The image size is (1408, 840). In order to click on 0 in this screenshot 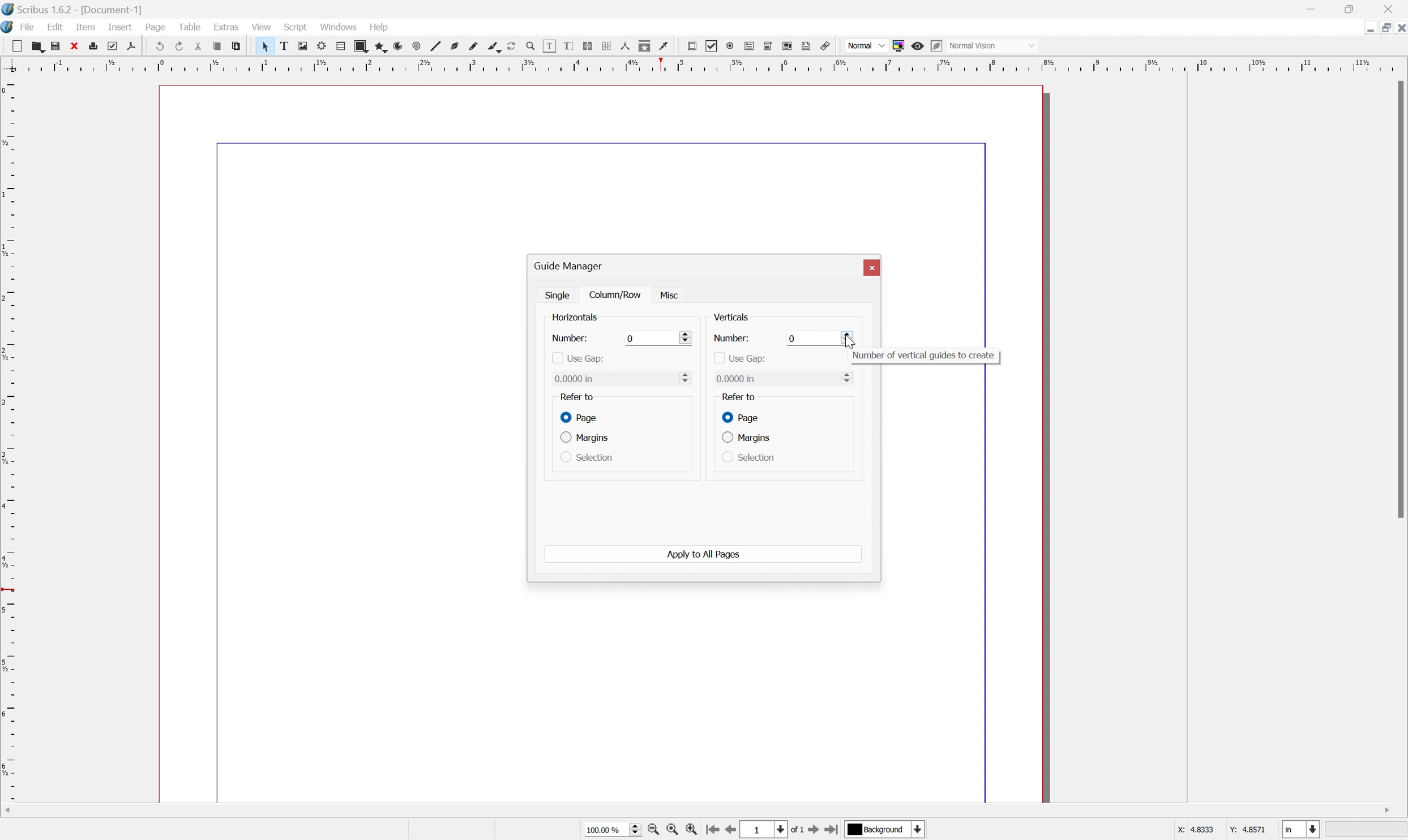, I will do `click(815, 338)`.